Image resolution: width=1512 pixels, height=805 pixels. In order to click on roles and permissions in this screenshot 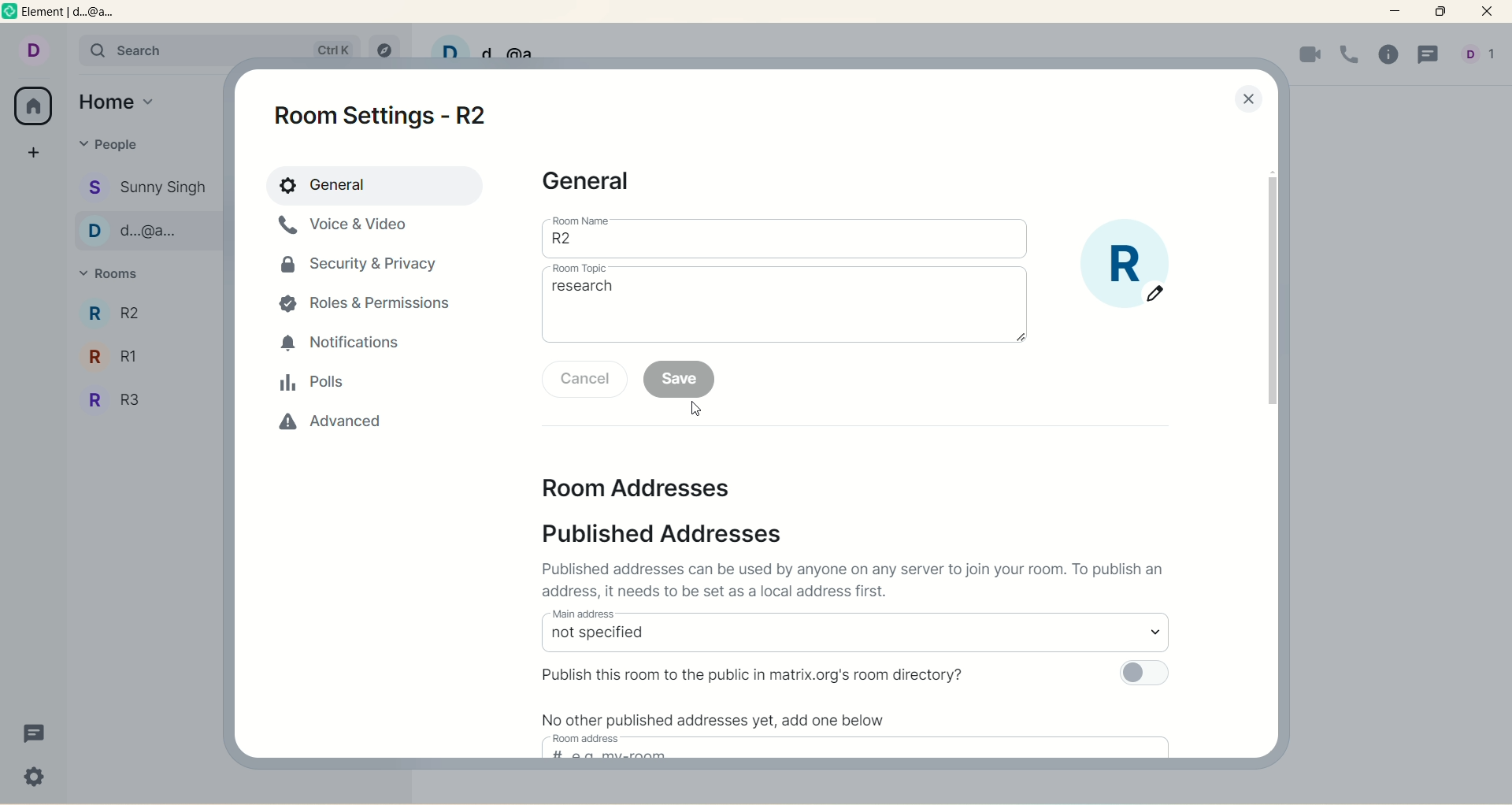, I will do `click(371, 306)`.